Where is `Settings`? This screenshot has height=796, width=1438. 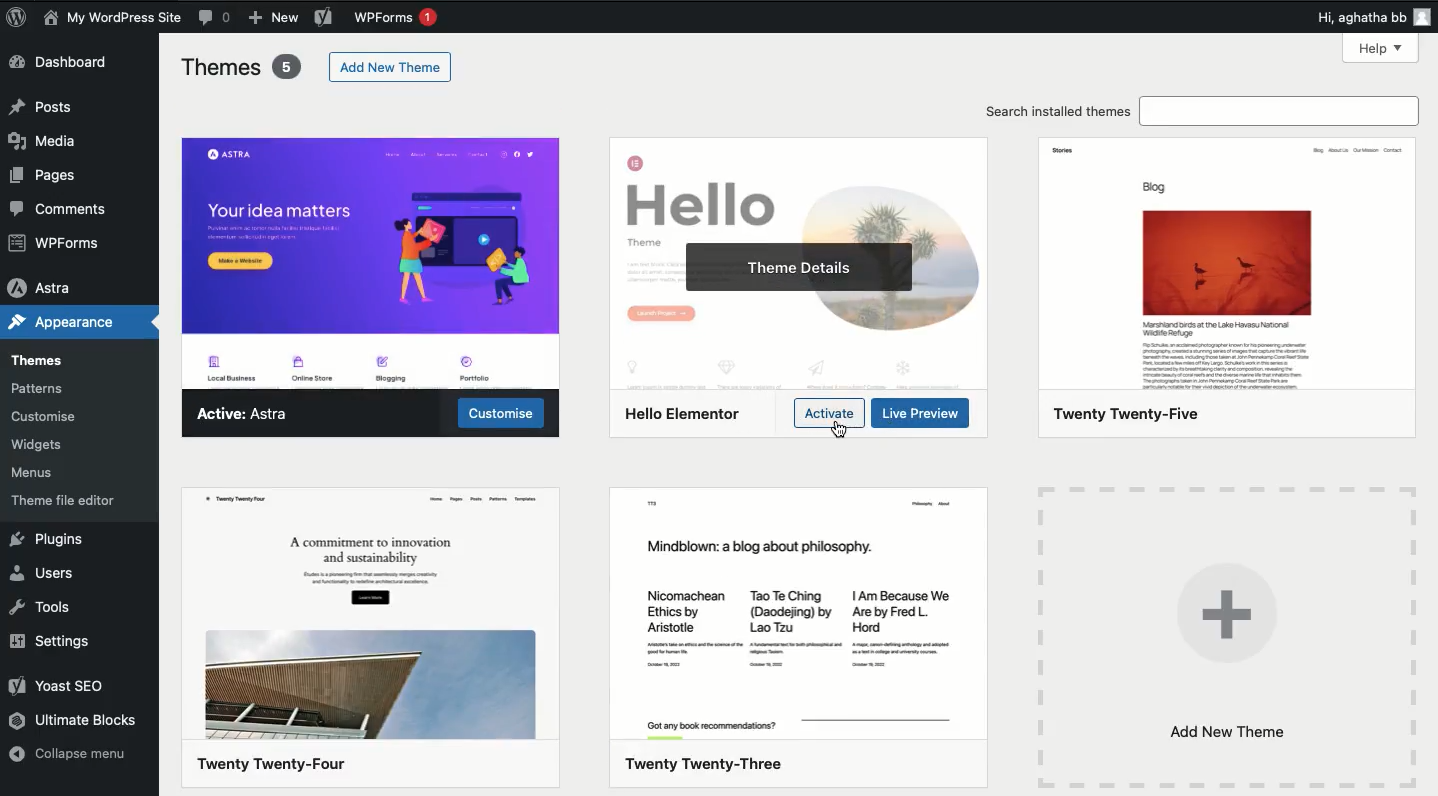 Settings is located at coordinates (57, 641).